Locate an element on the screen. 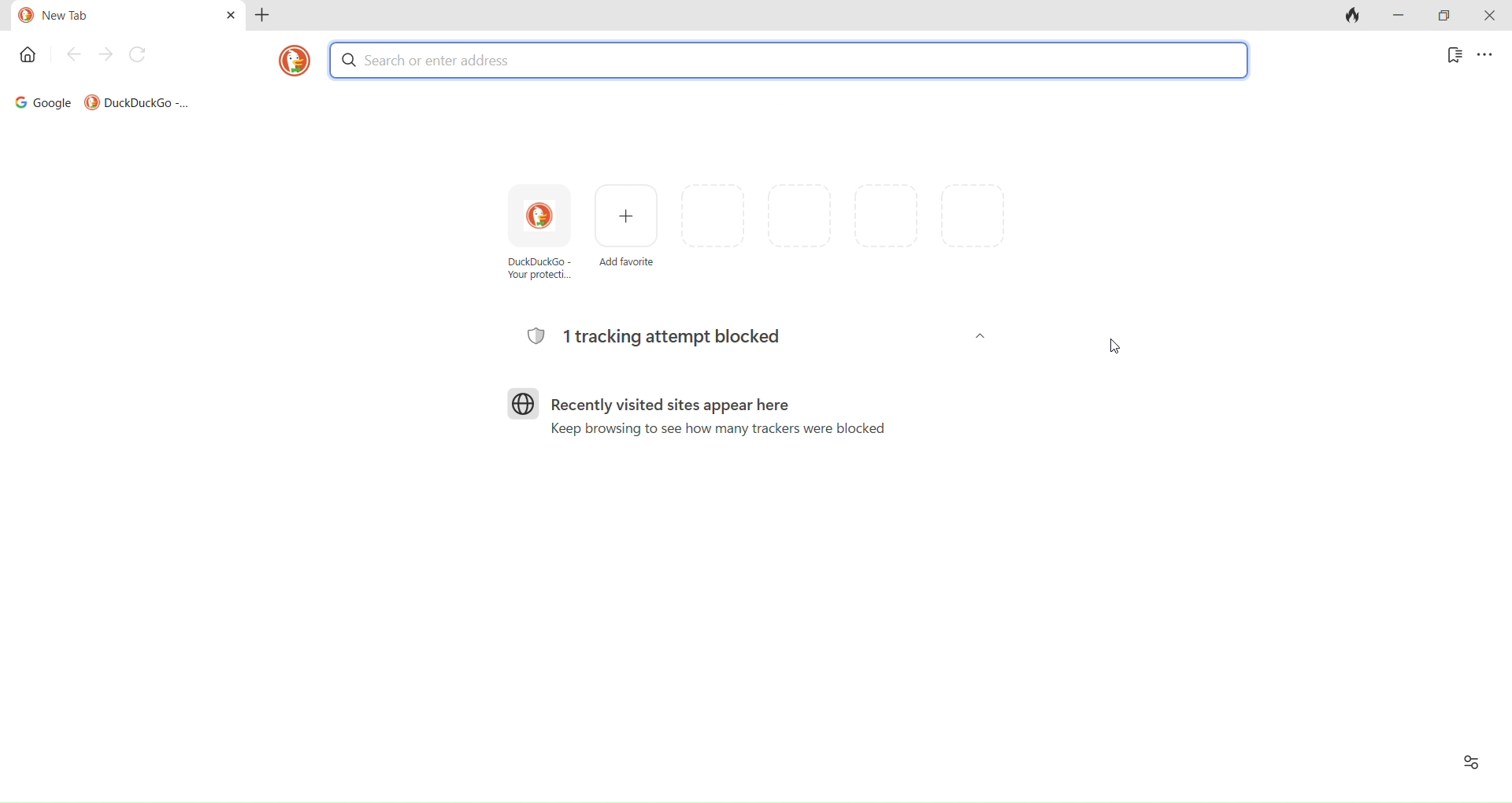  add favorite is located at coordinates (628, 235).